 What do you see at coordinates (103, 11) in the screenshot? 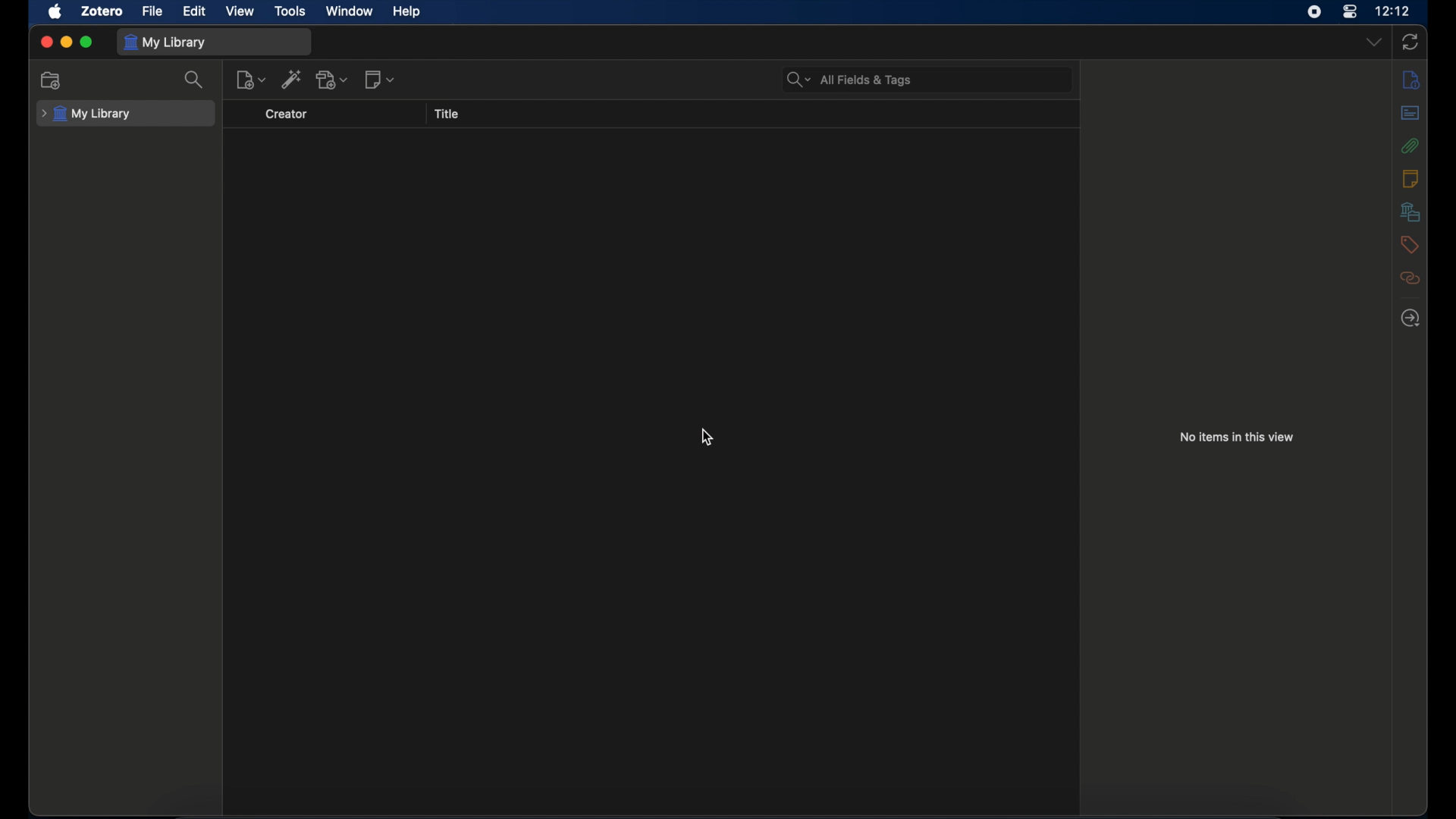
I see `zotero` at bounding box center [103, 11].